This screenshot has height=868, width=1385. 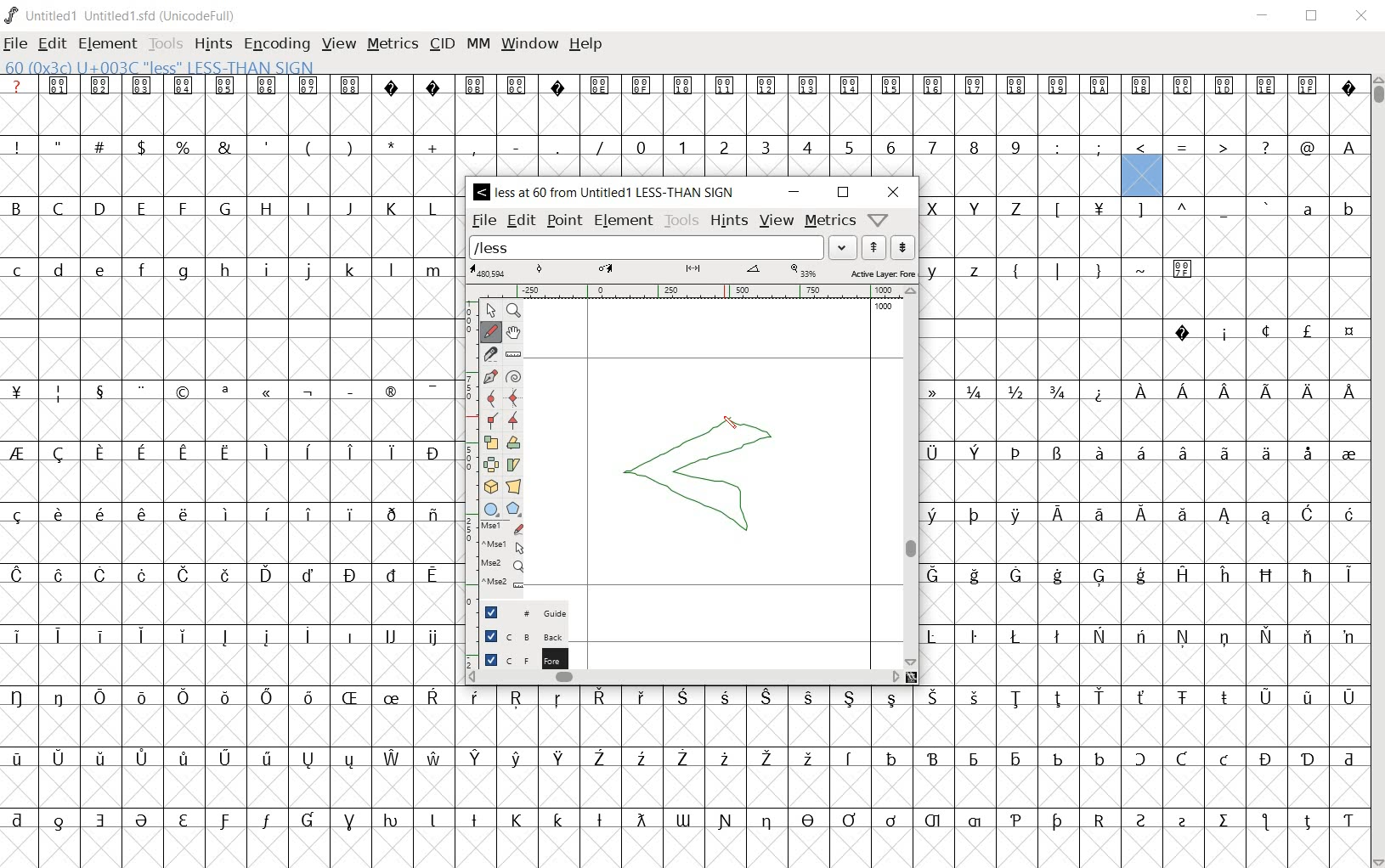 I want to click on empty cells, so click(x=1142, y=237).